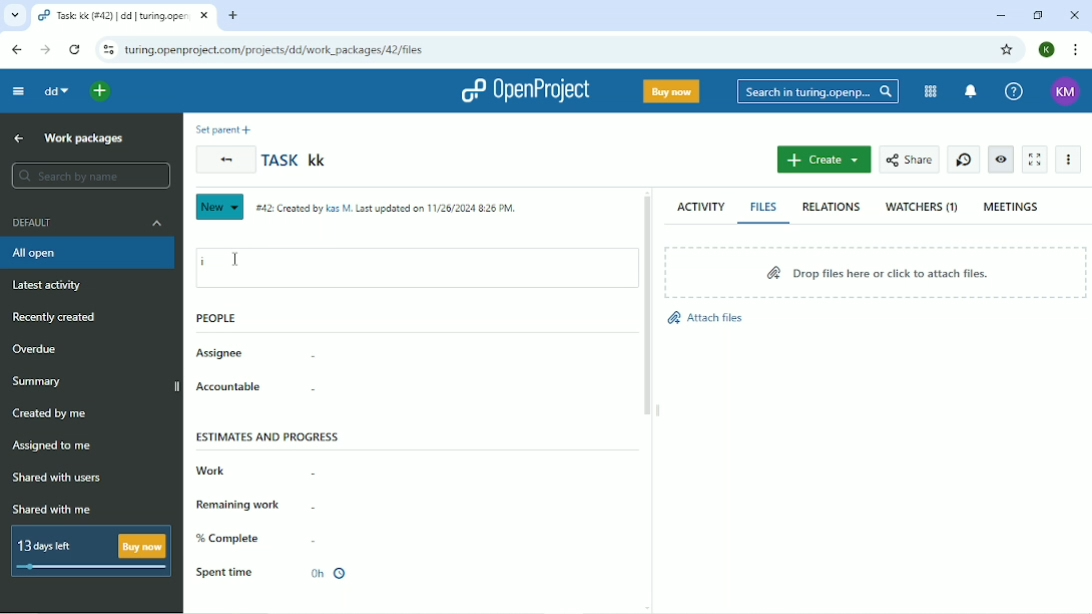 The height and width of the screenshot is (614, 1092). Describe the element at coordinates (1001, 16) in the screenshot. I see `Minimize` at that location.